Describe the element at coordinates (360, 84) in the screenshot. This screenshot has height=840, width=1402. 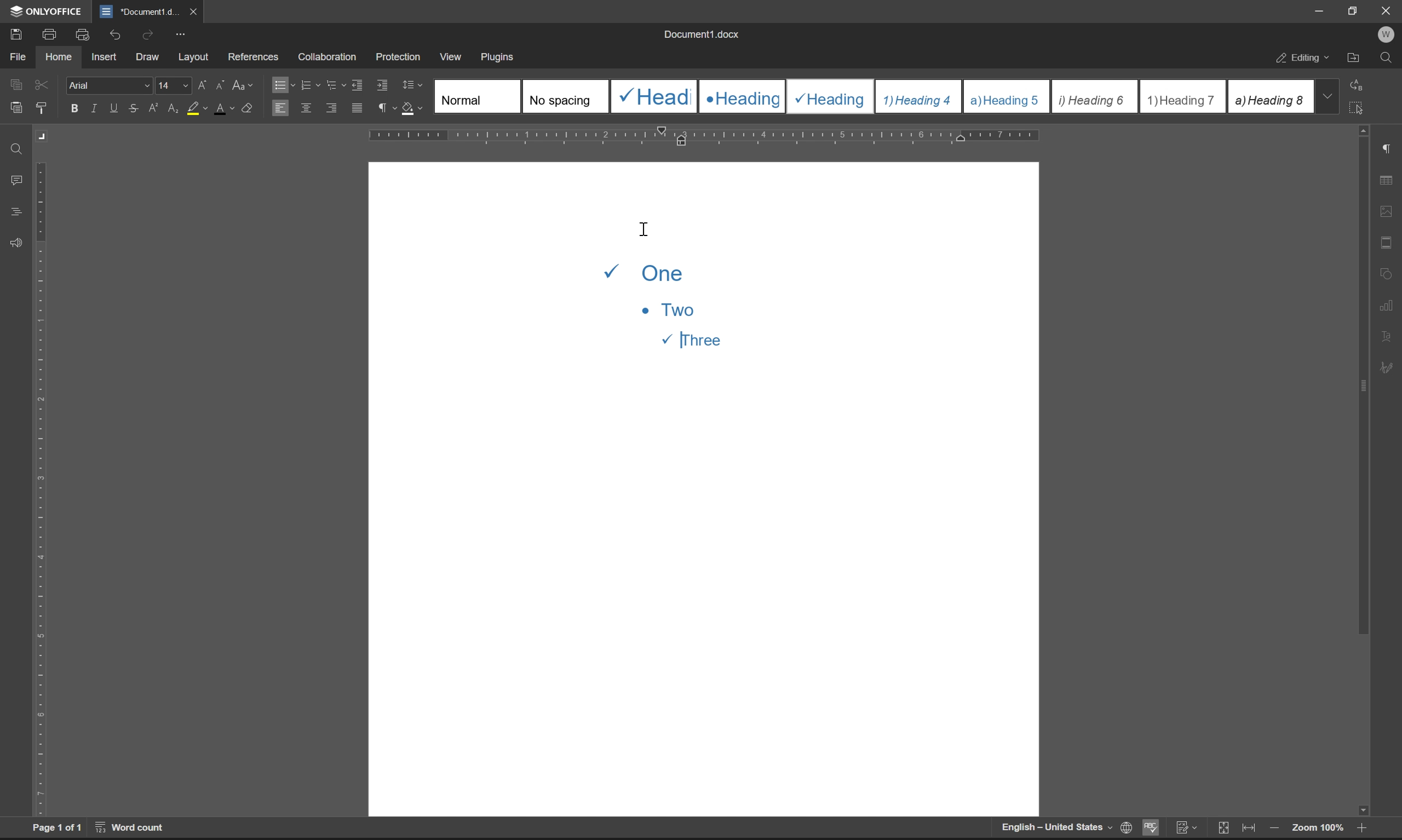
I see `decrease indent` at that location.